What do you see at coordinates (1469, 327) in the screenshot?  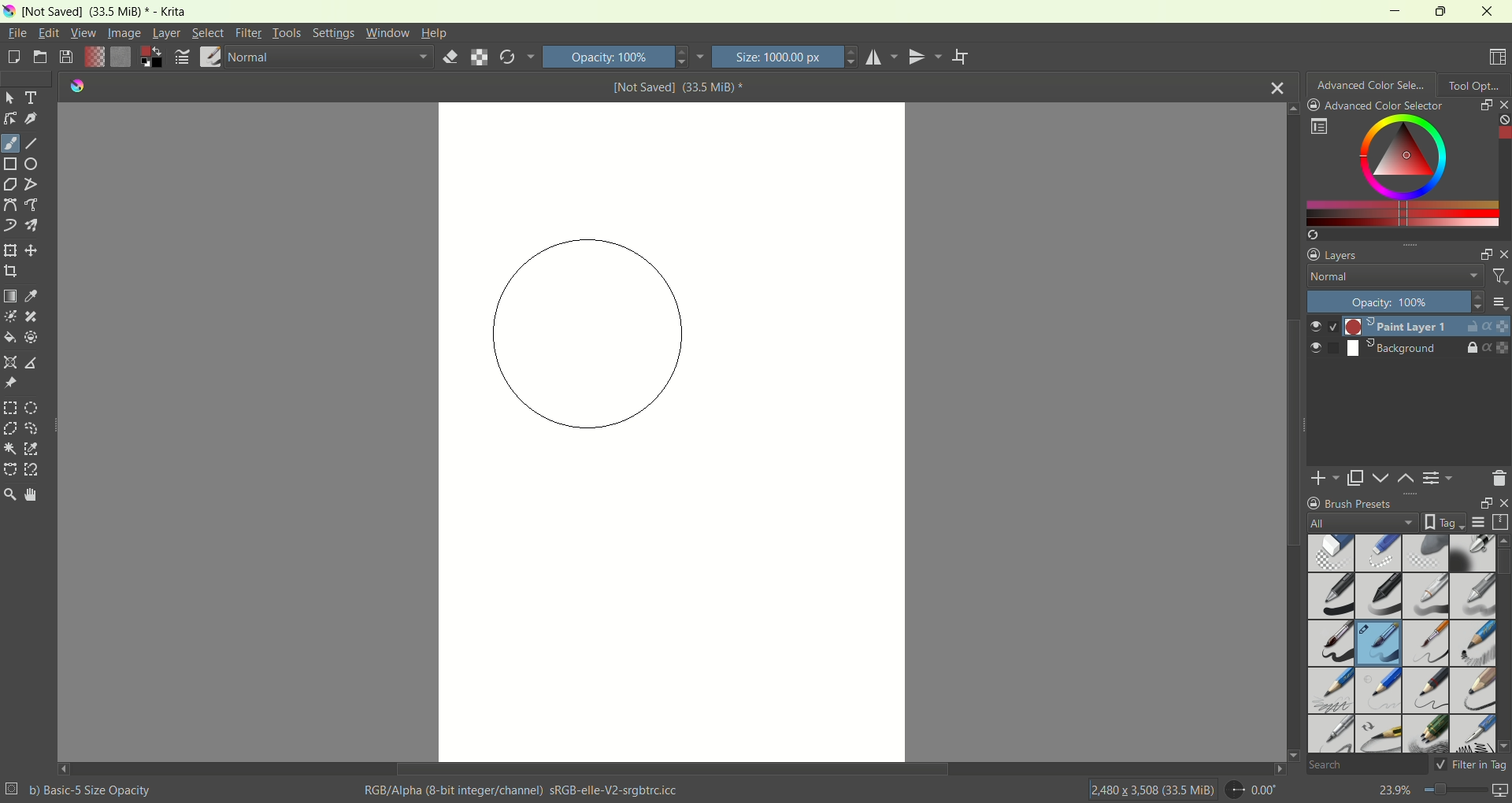 I see `unlock` at bounding box center [1469, 327].